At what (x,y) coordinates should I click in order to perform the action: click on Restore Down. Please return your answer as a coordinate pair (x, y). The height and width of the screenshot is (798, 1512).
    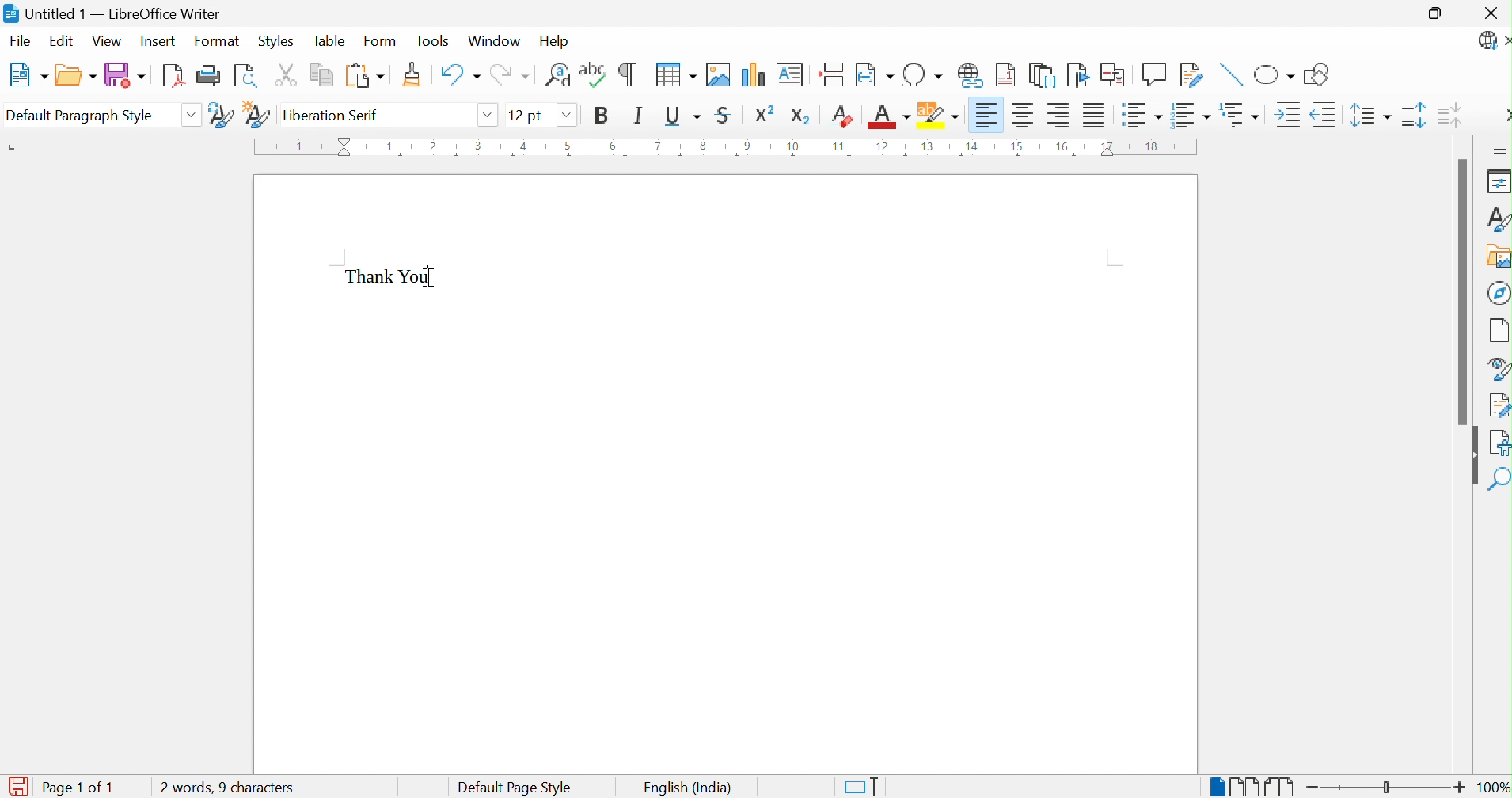
    Looking at the image, I should click on (1437, 13).